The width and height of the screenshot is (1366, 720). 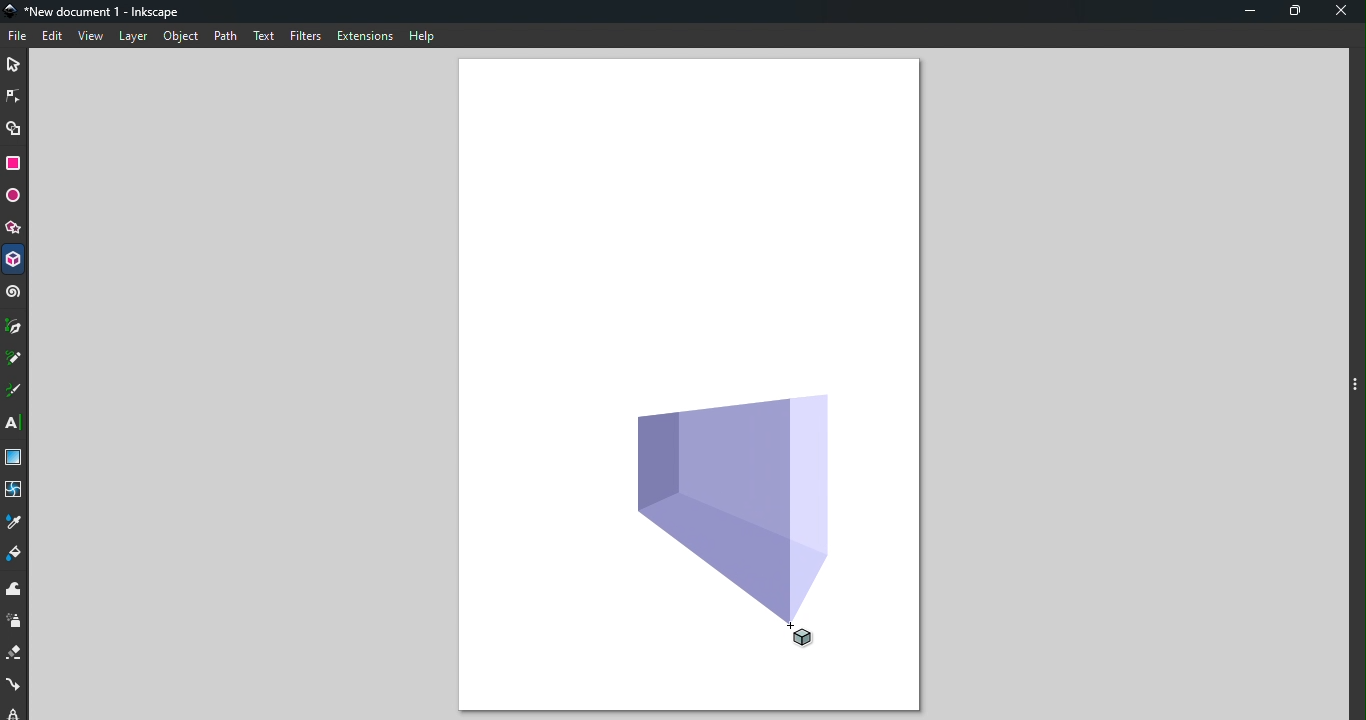 I want to click on Edit, so click(x=51, y=37).